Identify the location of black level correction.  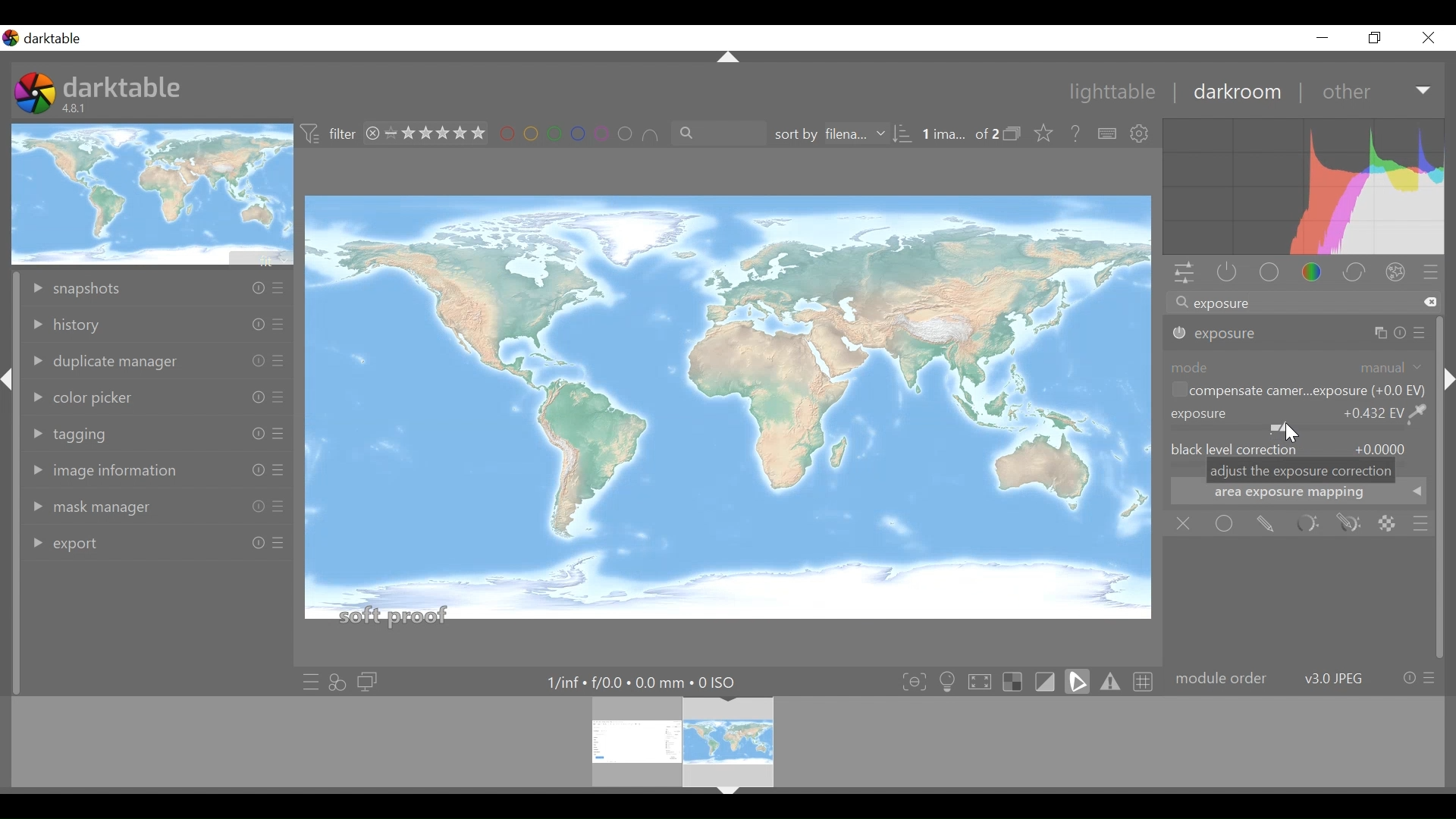
(1299, 447).